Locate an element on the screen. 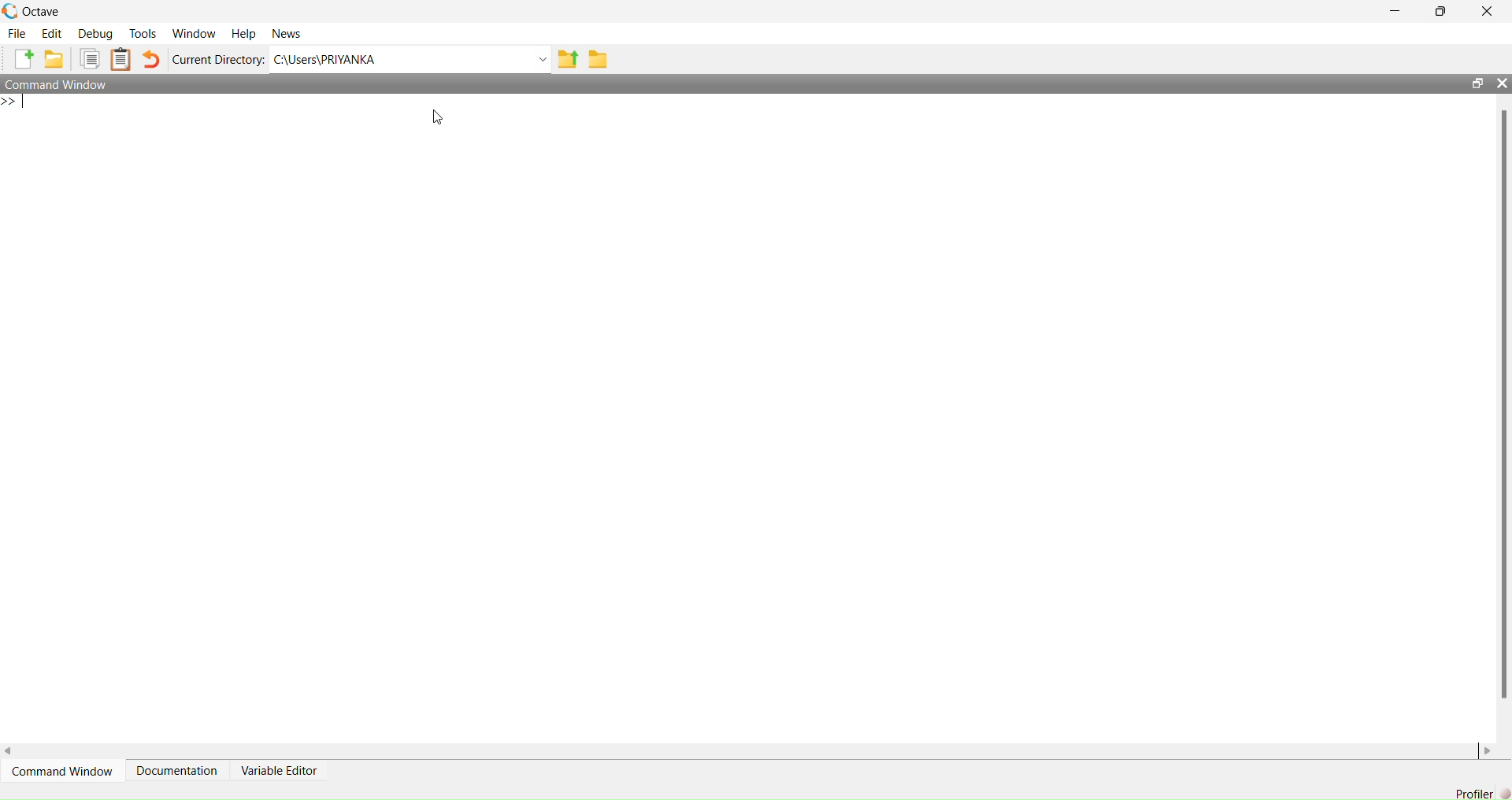  copy is located at coordinates (89, 59).